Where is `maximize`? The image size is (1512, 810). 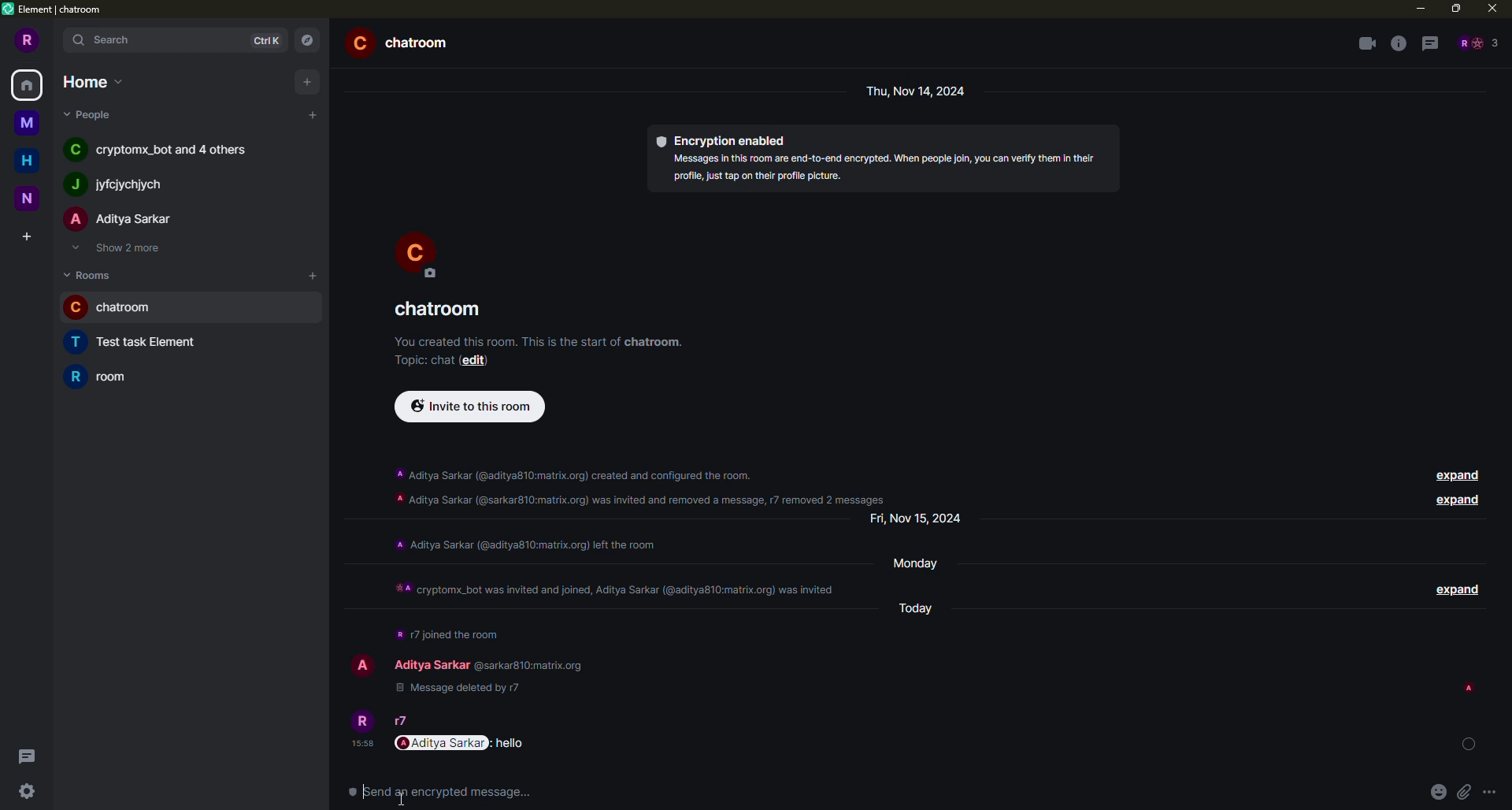
maximize is located at coordinates (1456, 7).